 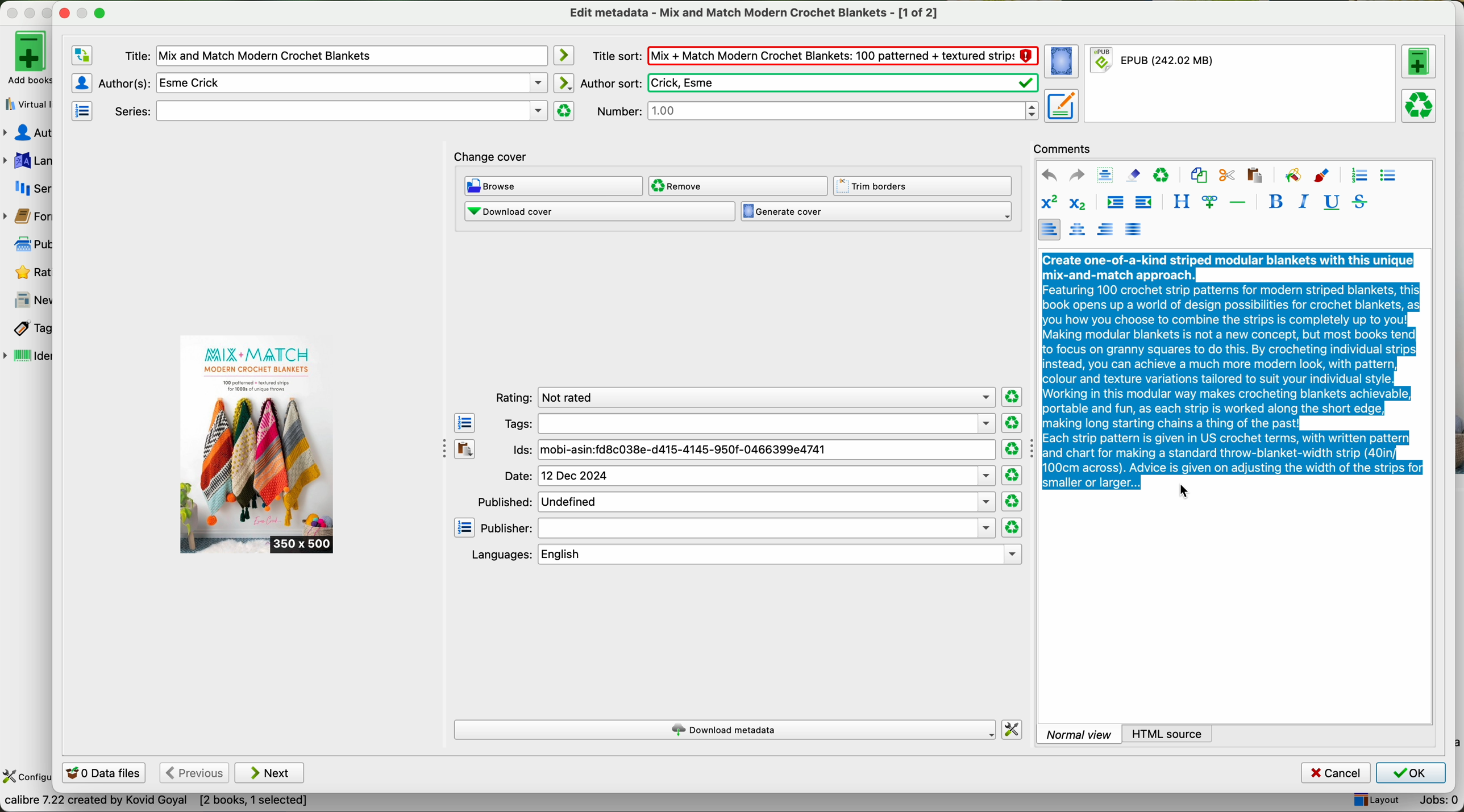 I want to click on clear rating, so click(x=1013, y=397).